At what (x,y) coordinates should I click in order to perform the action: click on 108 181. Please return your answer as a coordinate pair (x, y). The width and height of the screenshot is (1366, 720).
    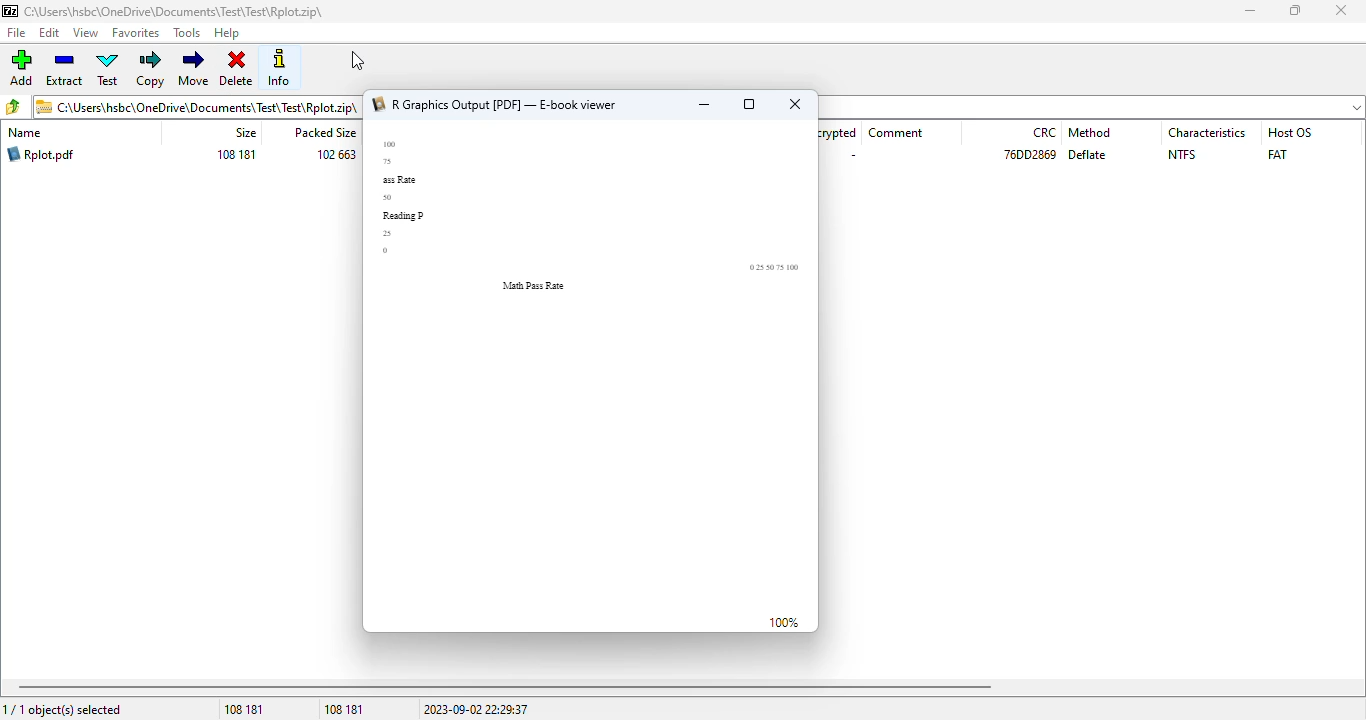
    Looking at the image, I should click on (244, 710).